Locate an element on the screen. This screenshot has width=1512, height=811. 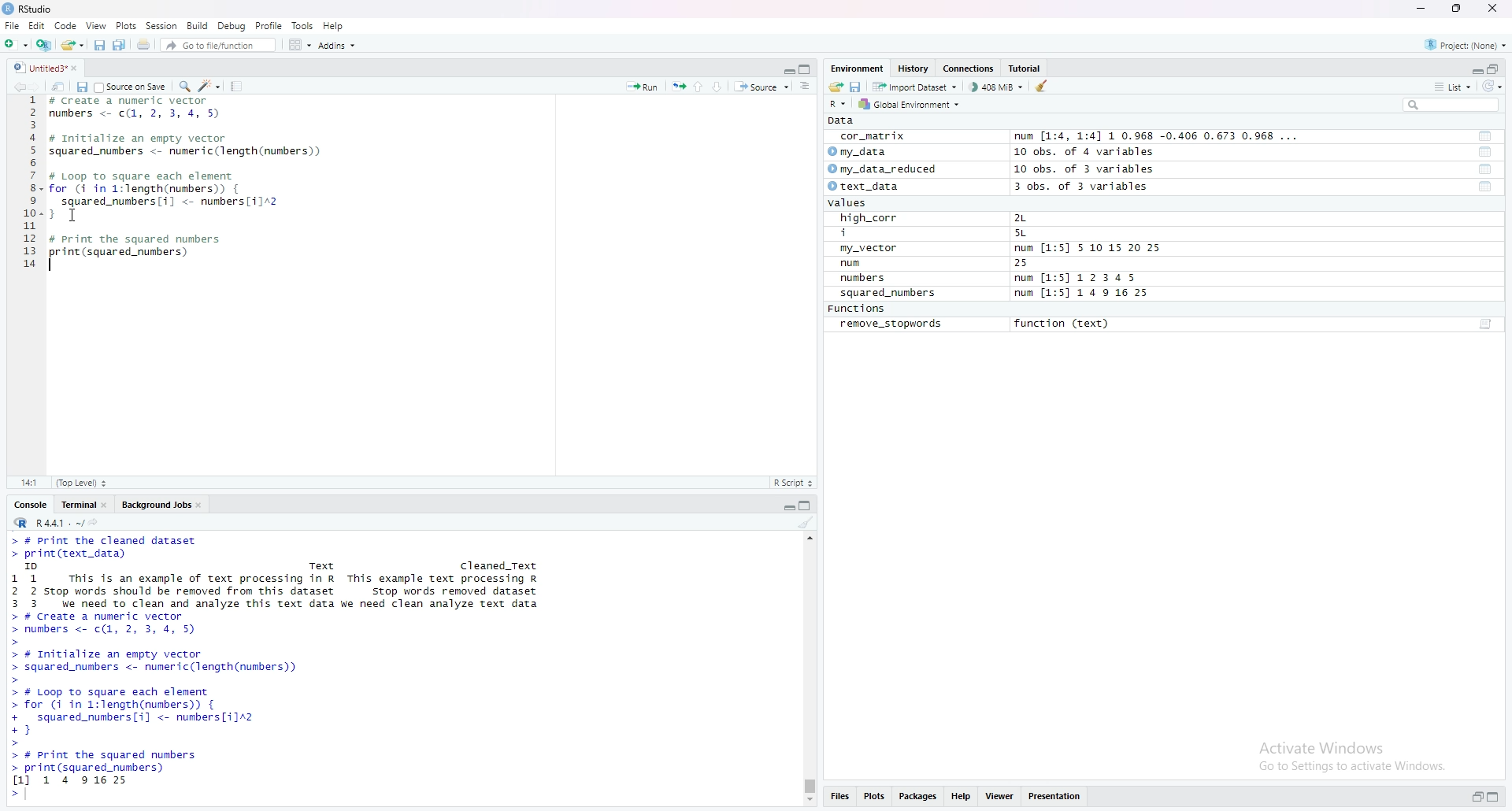
Print the current file is located at coordinates (142, 43).